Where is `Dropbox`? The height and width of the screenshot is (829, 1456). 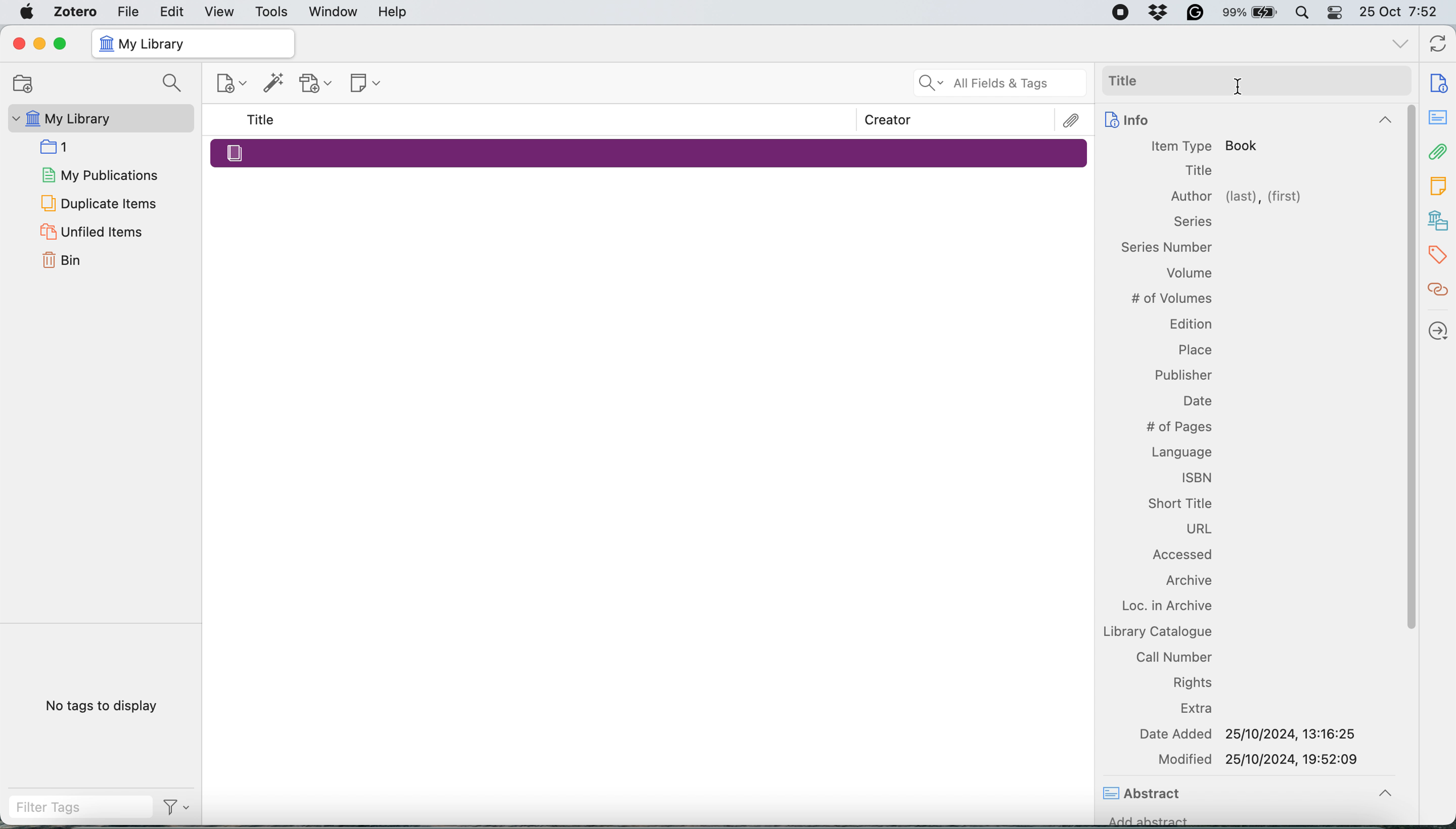 Dropbox is located at coordinates (1159, 12).